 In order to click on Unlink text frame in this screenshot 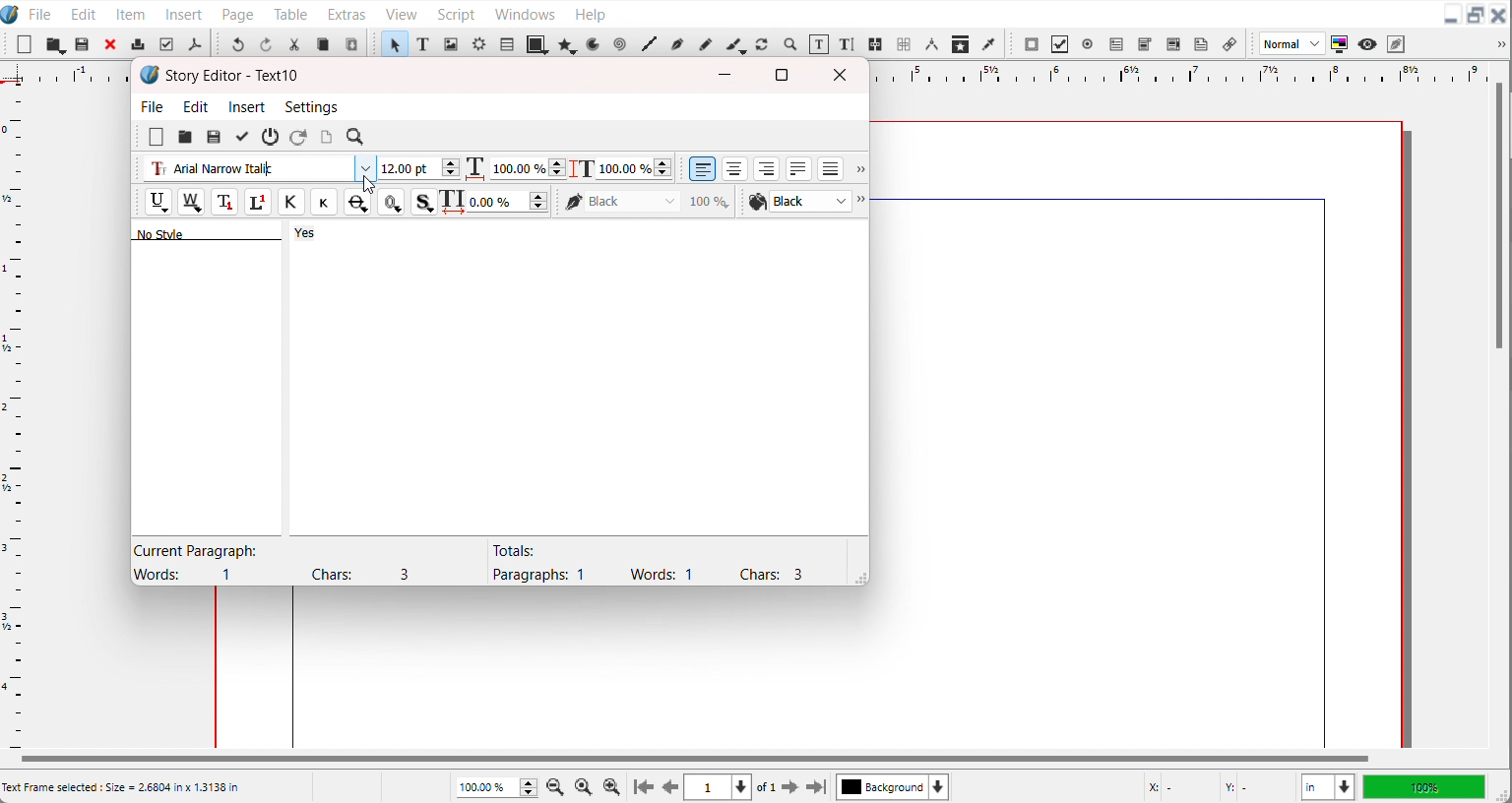, I will do `click(903, 44)`.